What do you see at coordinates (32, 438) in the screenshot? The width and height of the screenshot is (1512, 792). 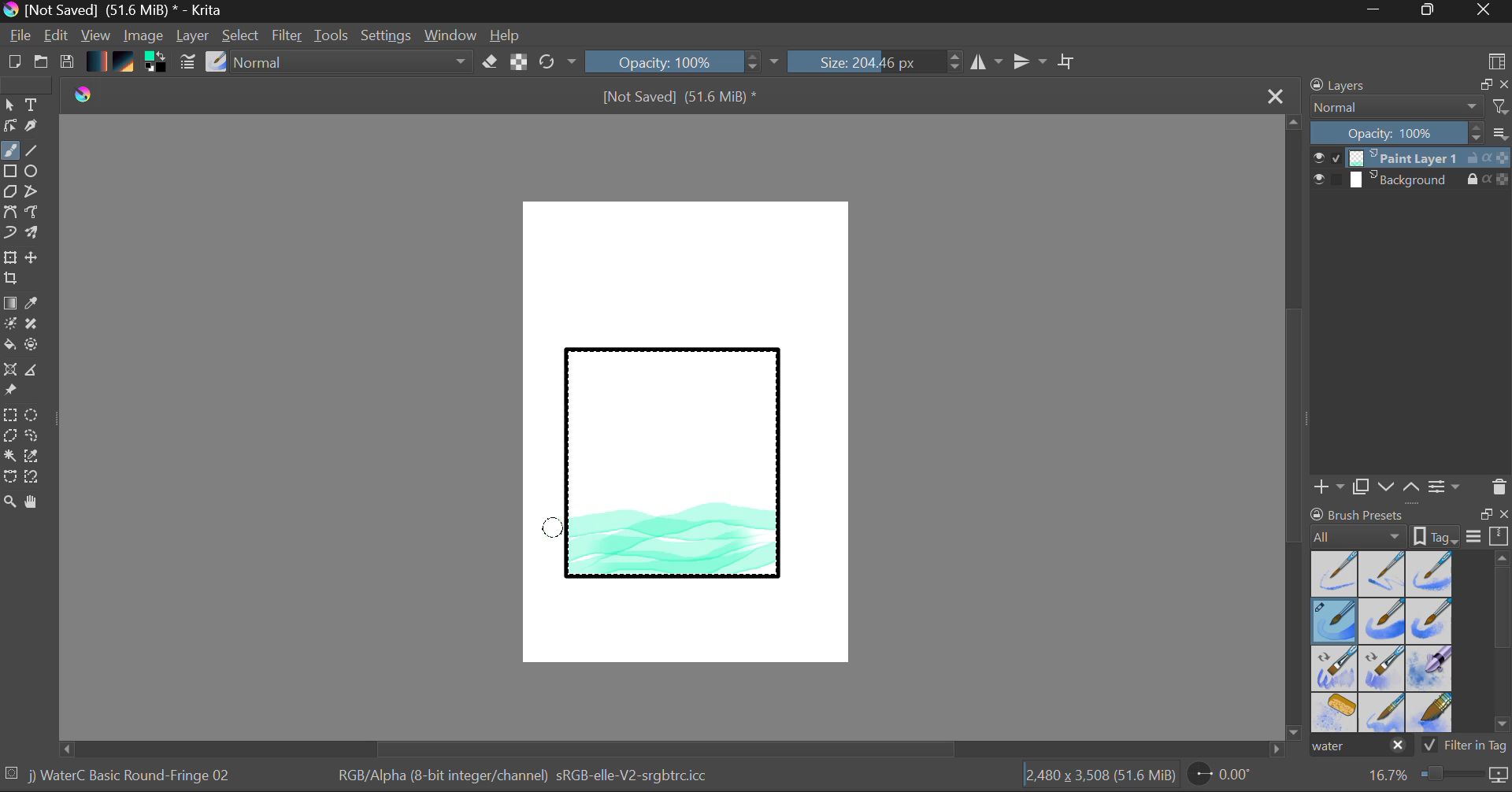 I see `Freehand Selection` at bounding box center [32, 438].